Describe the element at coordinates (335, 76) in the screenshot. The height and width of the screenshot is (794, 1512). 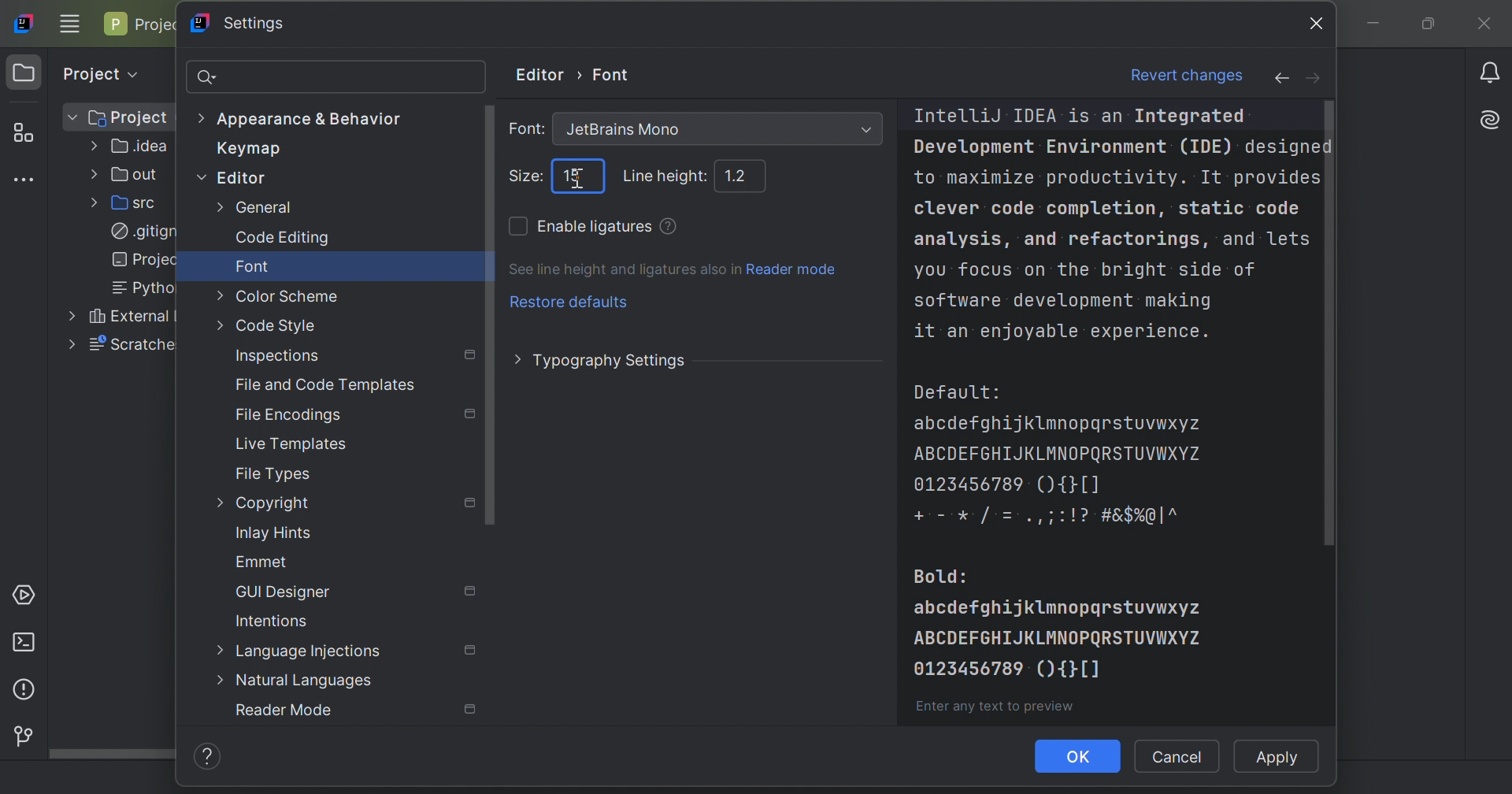
I see `search bar` at that location.